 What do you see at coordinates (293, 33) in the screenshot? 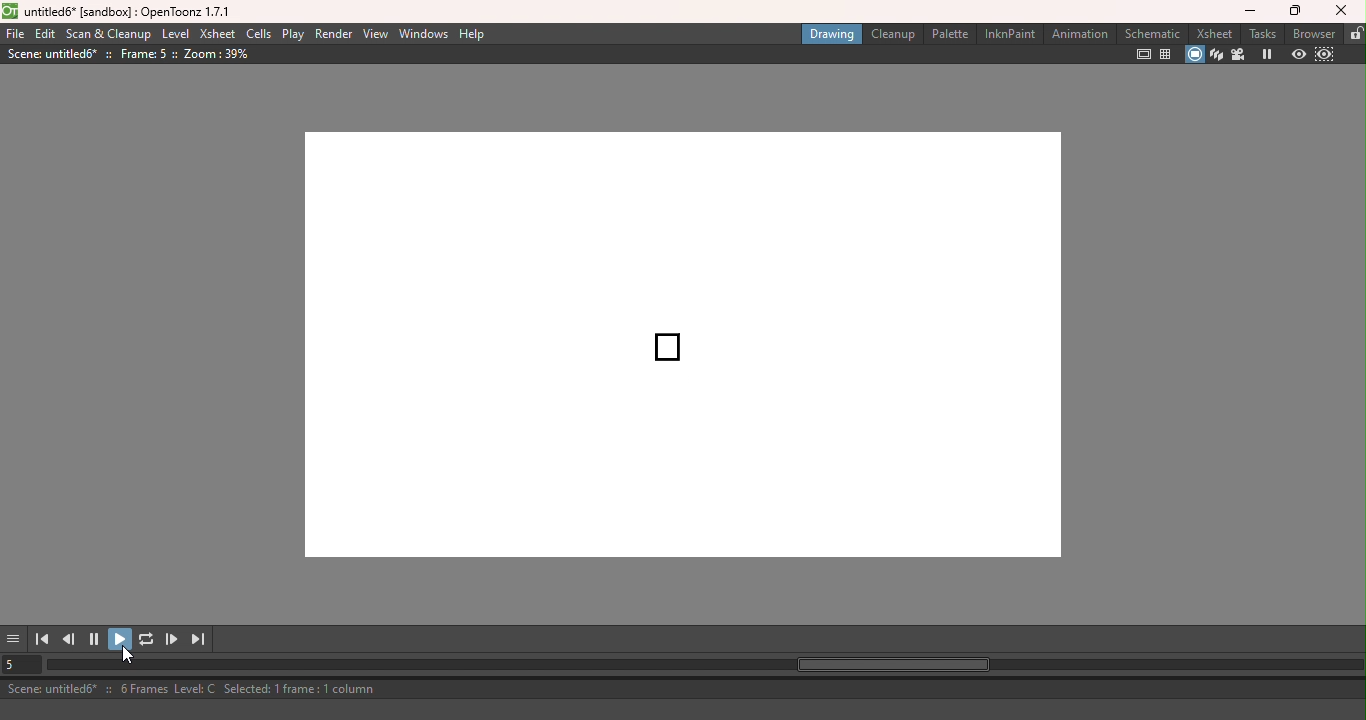
I see `Play` at bounding box center [293, 33].